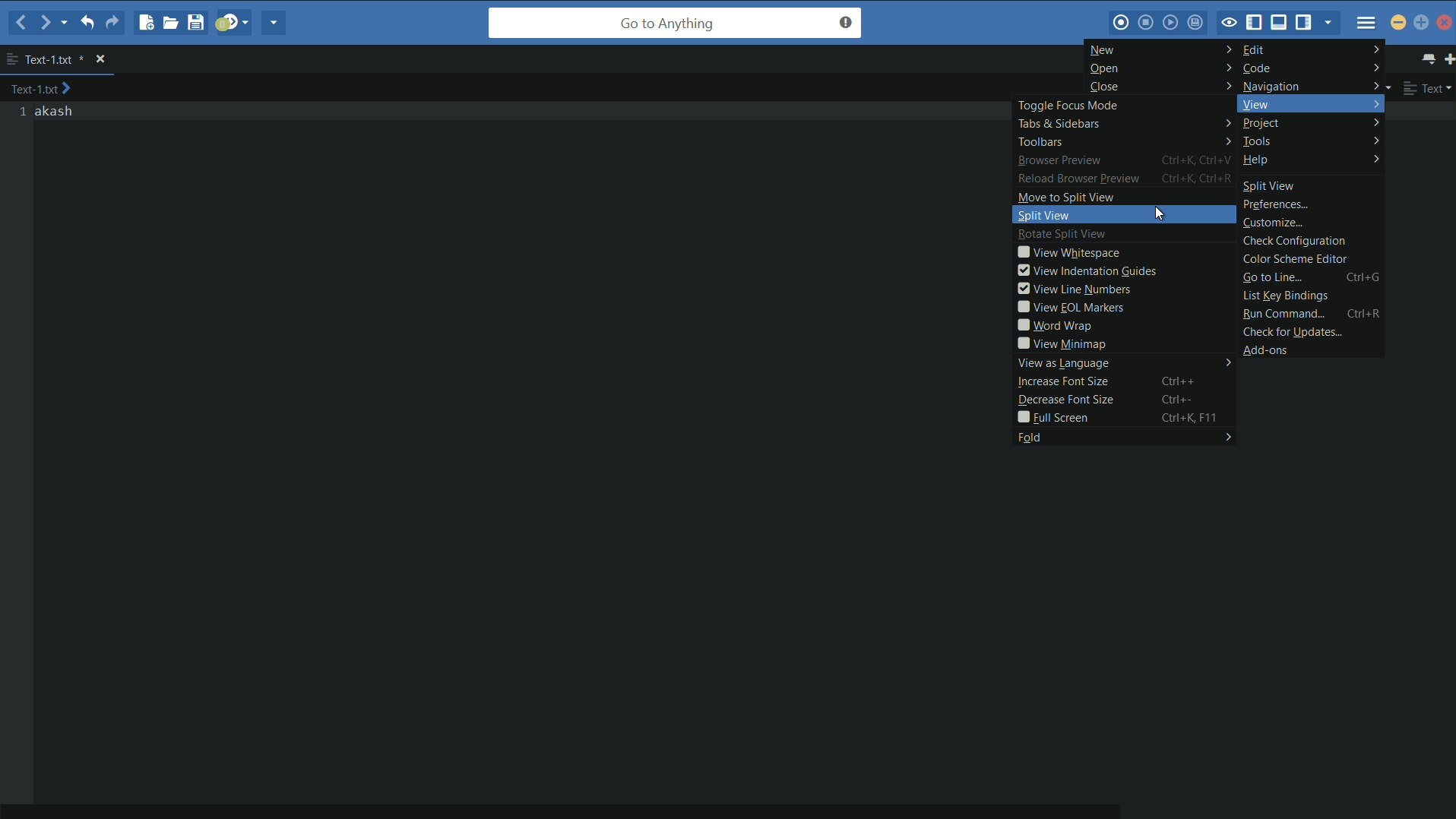 The width and height of the screenshot is (1456, 819). I want to click on rotate split view, so click(1125, 235).